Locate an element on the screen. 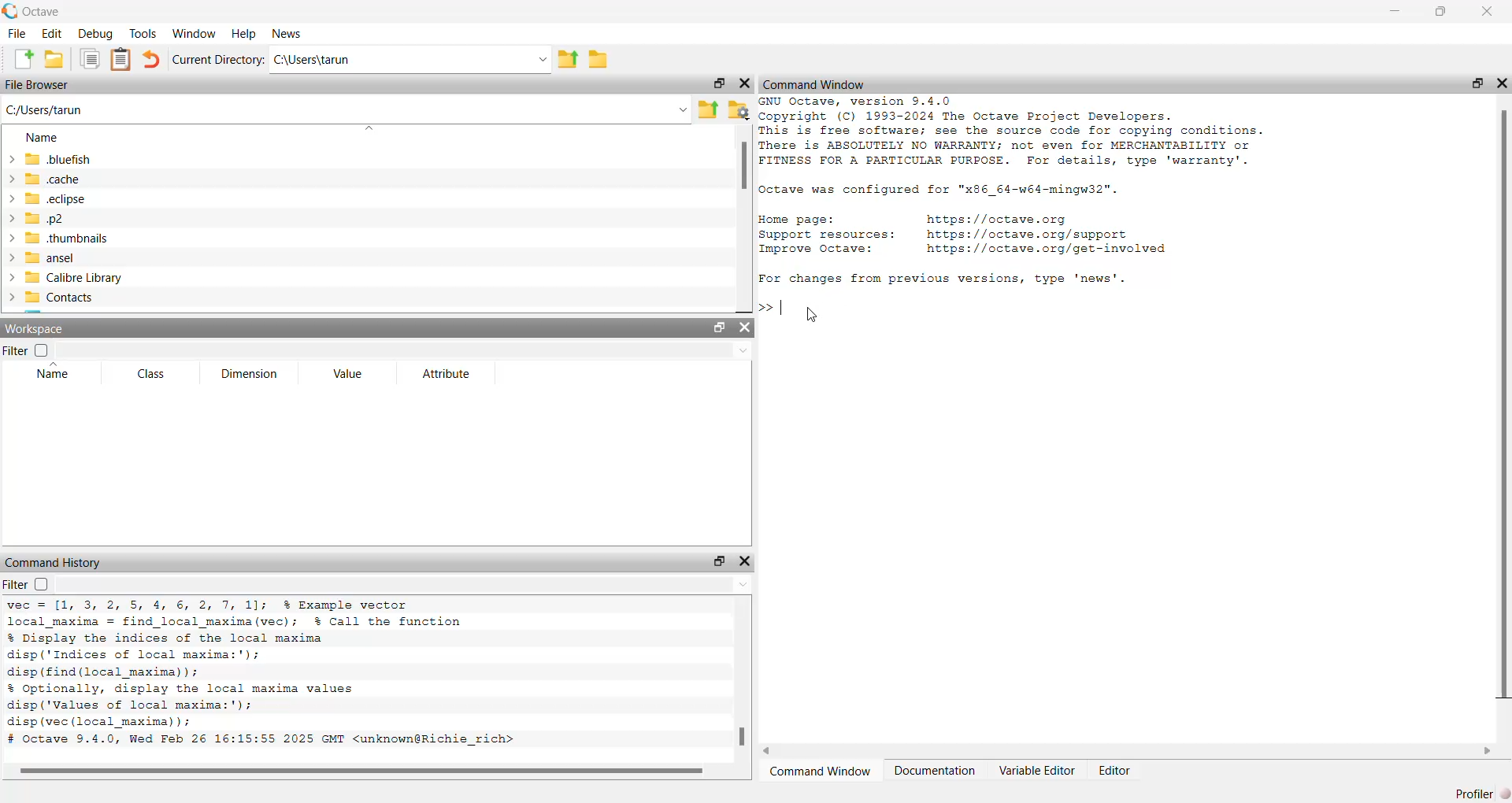 The width and height of the screenshot is (1512, 803). Undock Widget is located at coordinates (1477, 83).